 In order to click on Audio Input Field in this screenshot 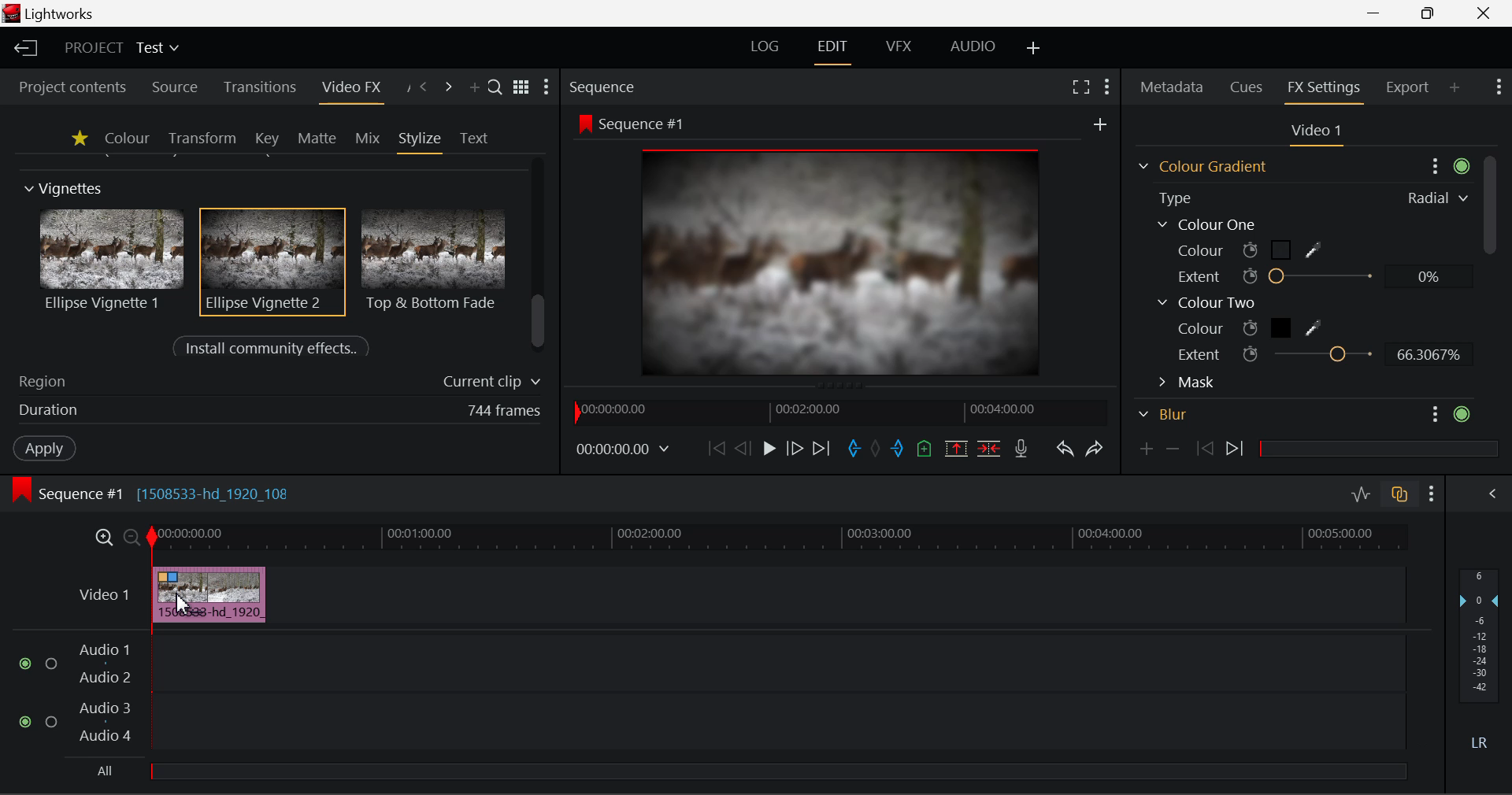, I will do `click(696, 708)`.